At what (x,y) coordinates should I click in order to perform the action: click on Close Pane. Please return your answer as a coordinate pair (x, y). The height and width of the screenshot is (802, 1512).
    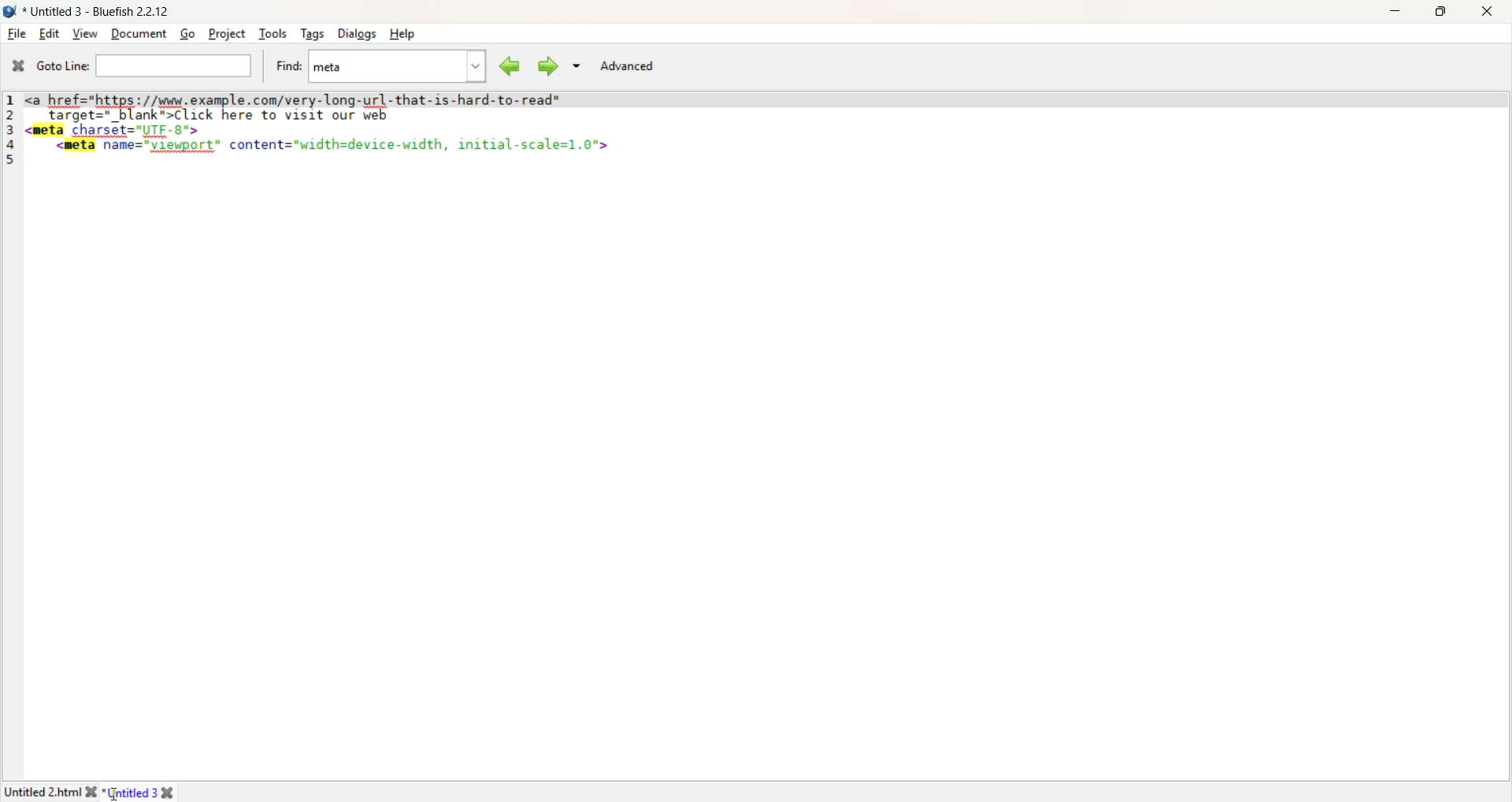
    Looking at the image, I should click on (17, 66).